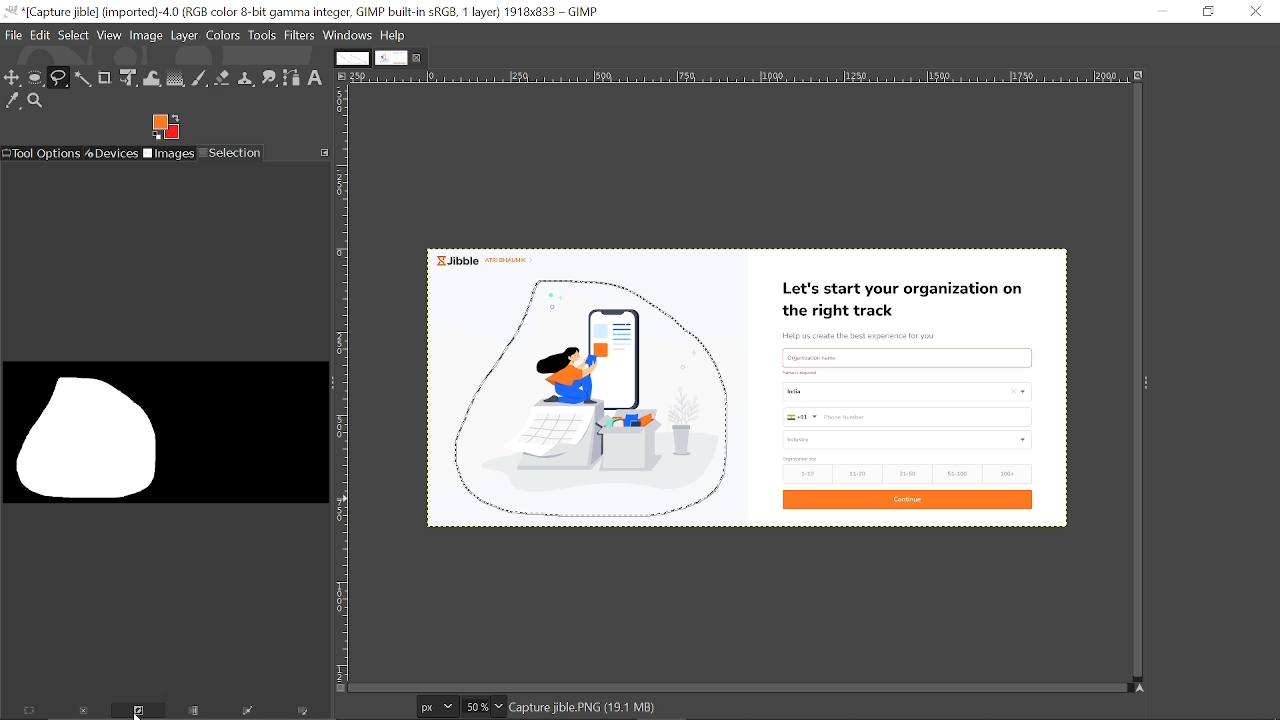 This screenshot has height=720, width=1280. I want to click on selected area, so click(589, 393).